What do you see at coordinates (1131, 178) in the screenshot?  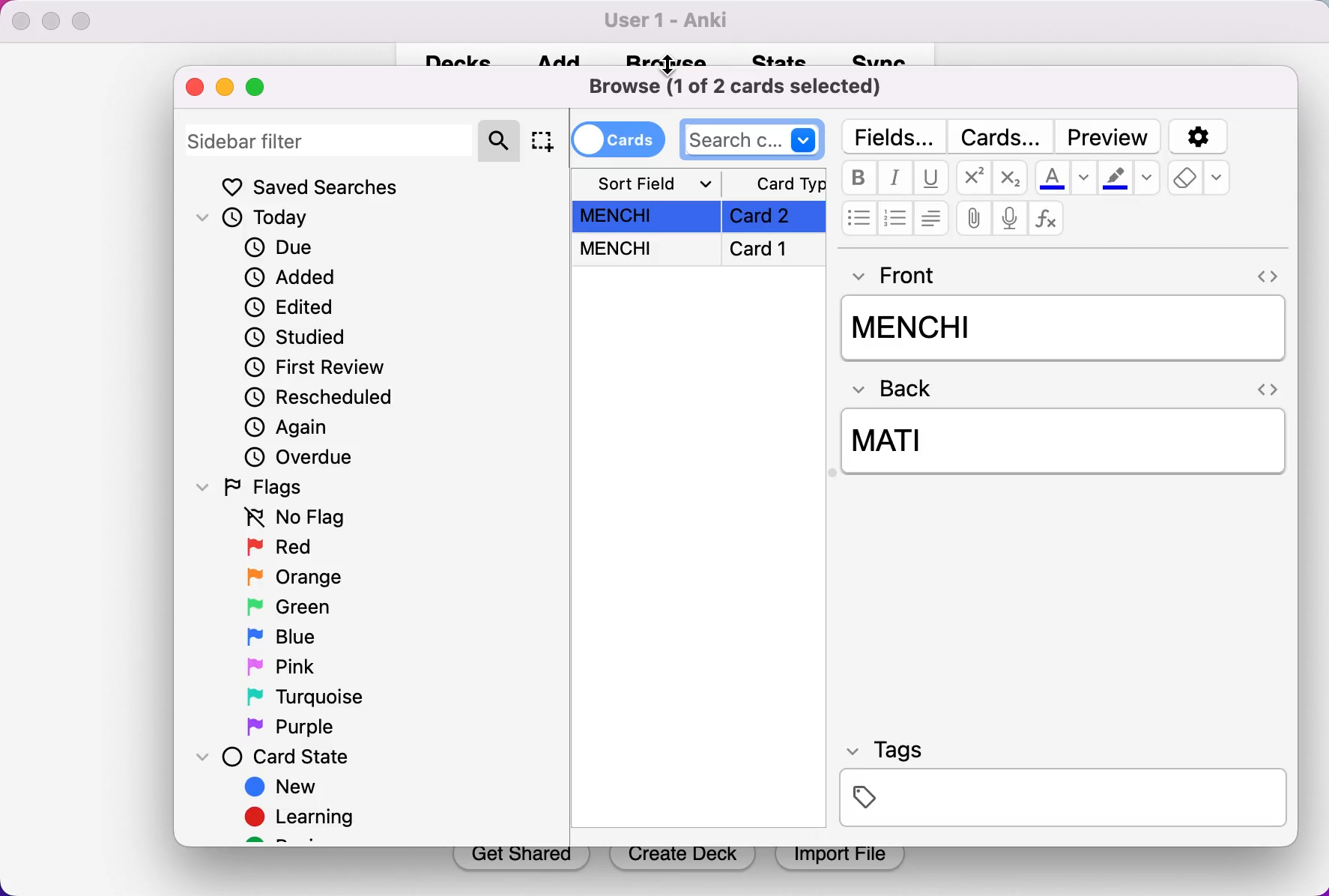 I see `text highlight color` at bounding box center [1131, 178].